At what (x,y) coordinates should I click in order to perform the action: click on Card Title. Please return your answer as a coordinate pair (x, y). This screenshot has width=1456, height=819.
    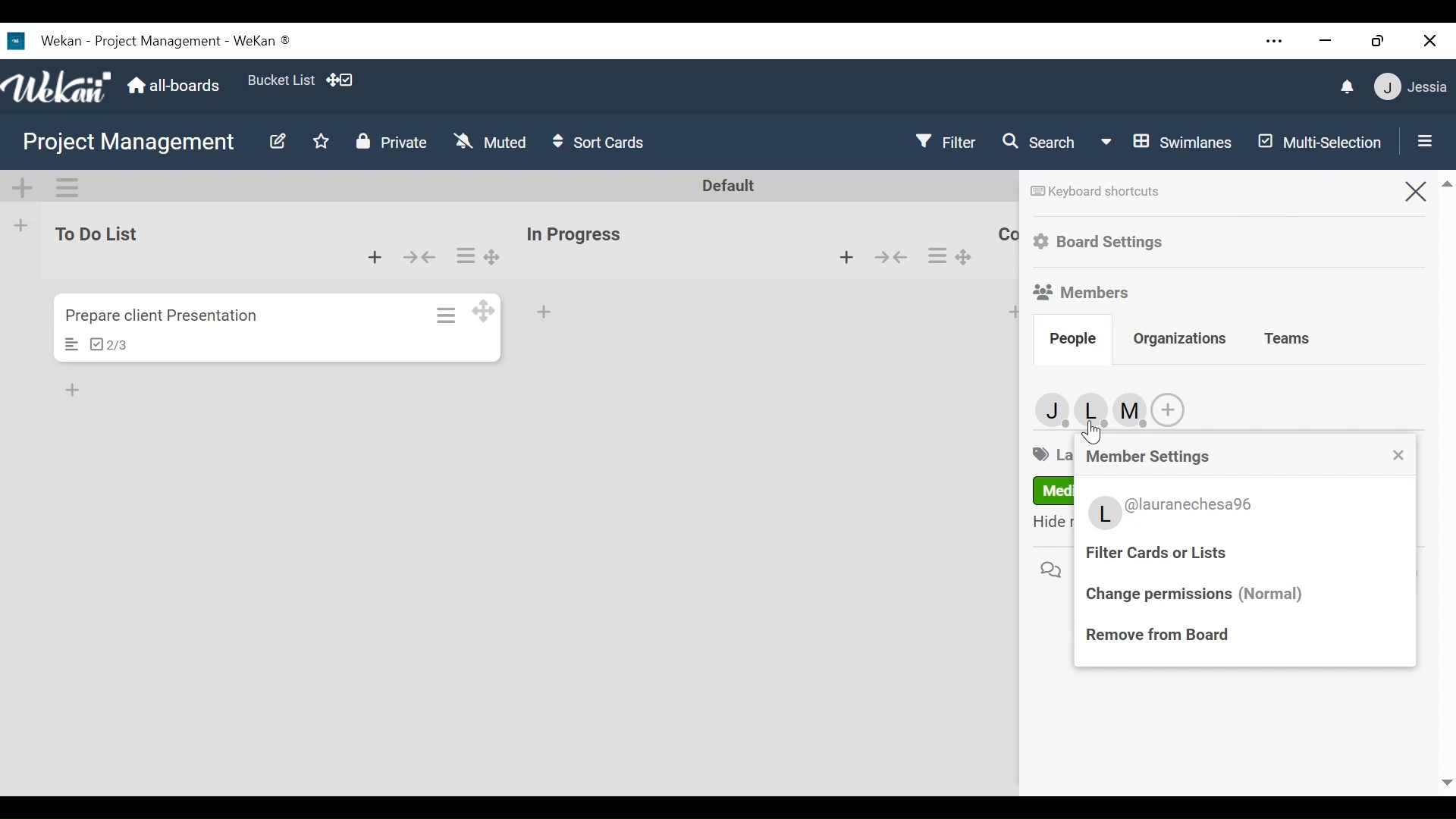
    Looking at the image, I should click on (171, 315).